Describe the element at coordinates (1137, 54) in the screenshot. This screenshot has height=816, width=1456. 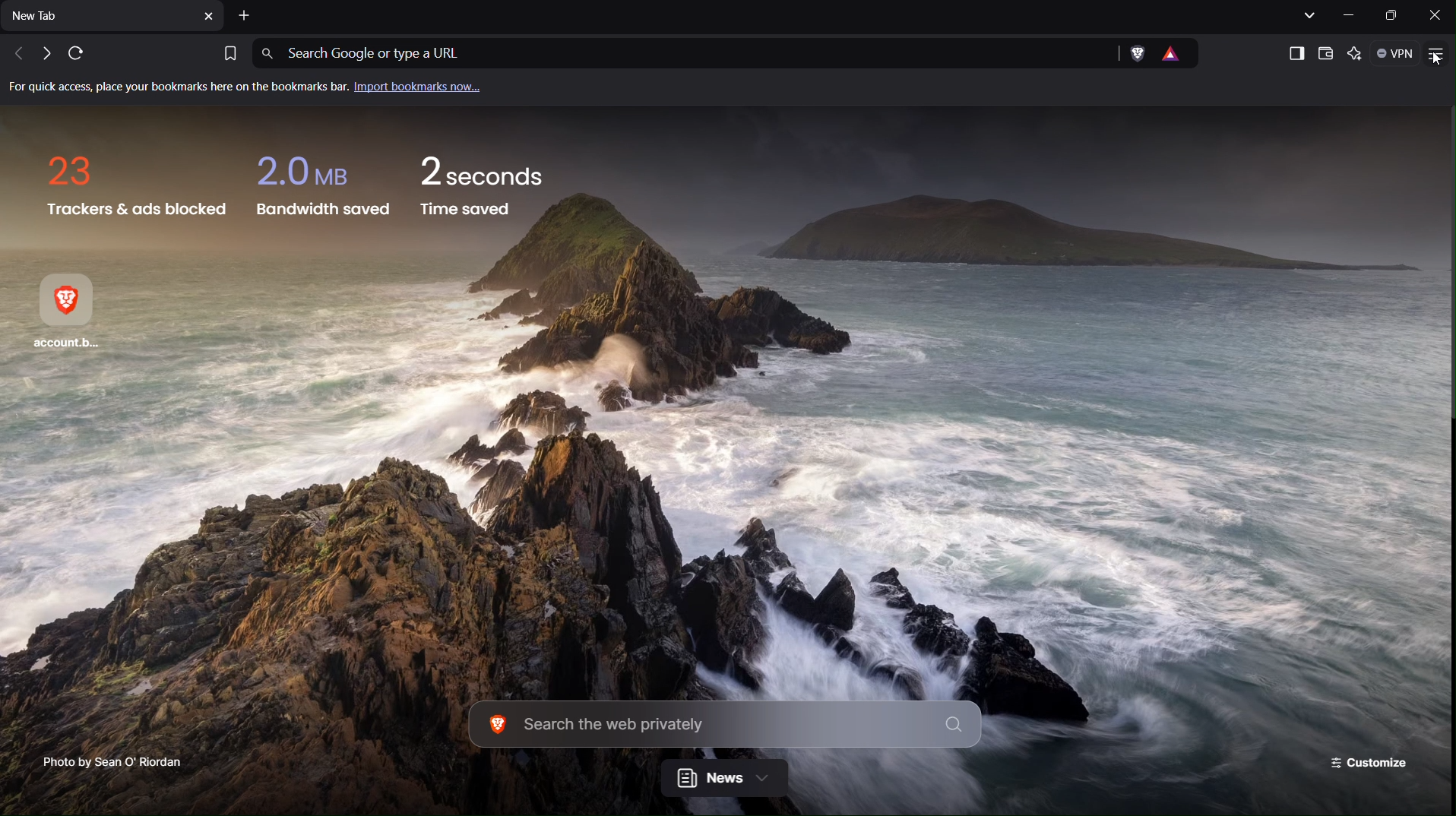
I see `Brave Shield` at that location.